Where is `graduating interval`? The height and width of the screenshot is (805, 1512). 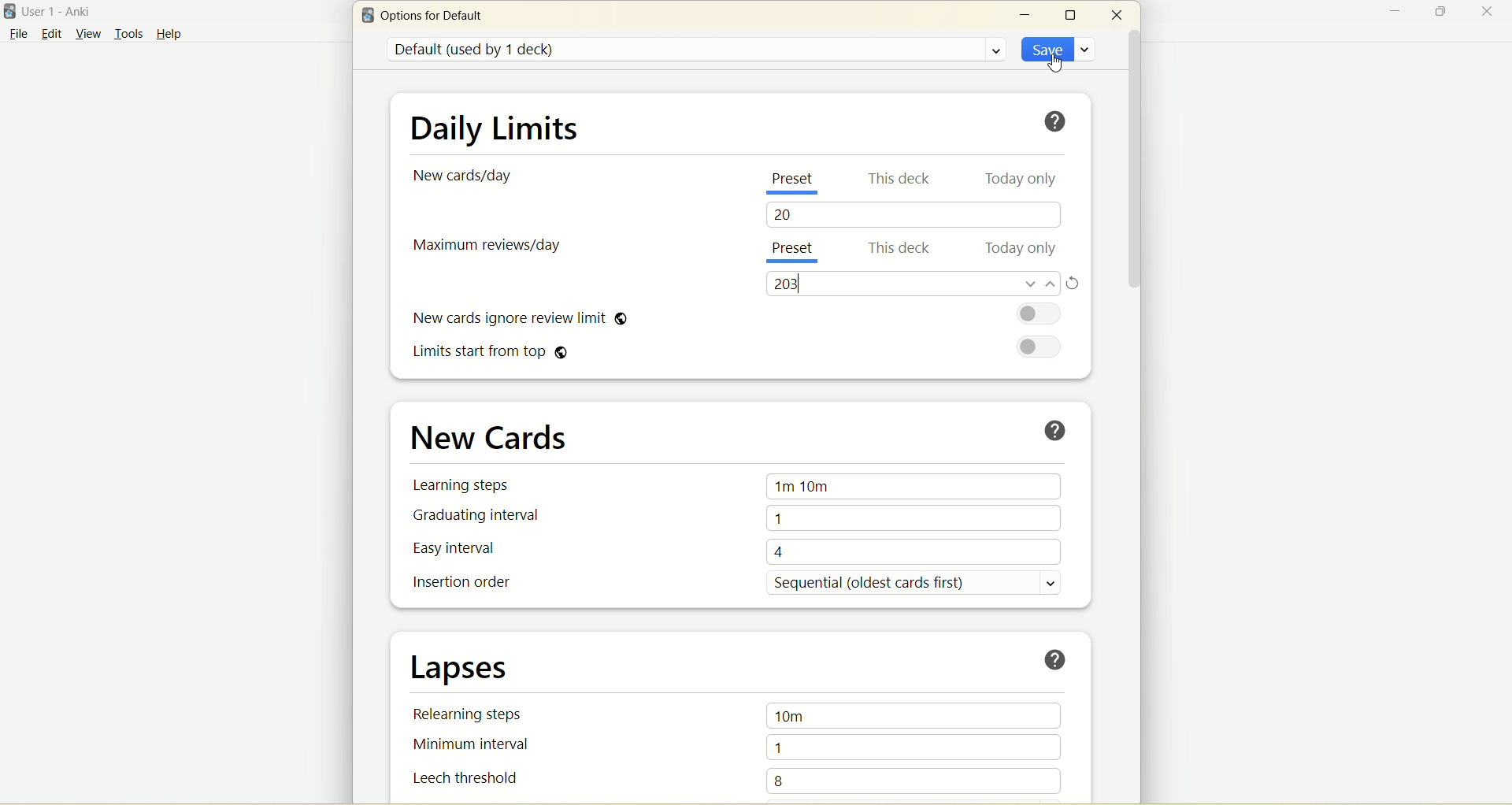 graduating interval is located at coordinates (478, 515).